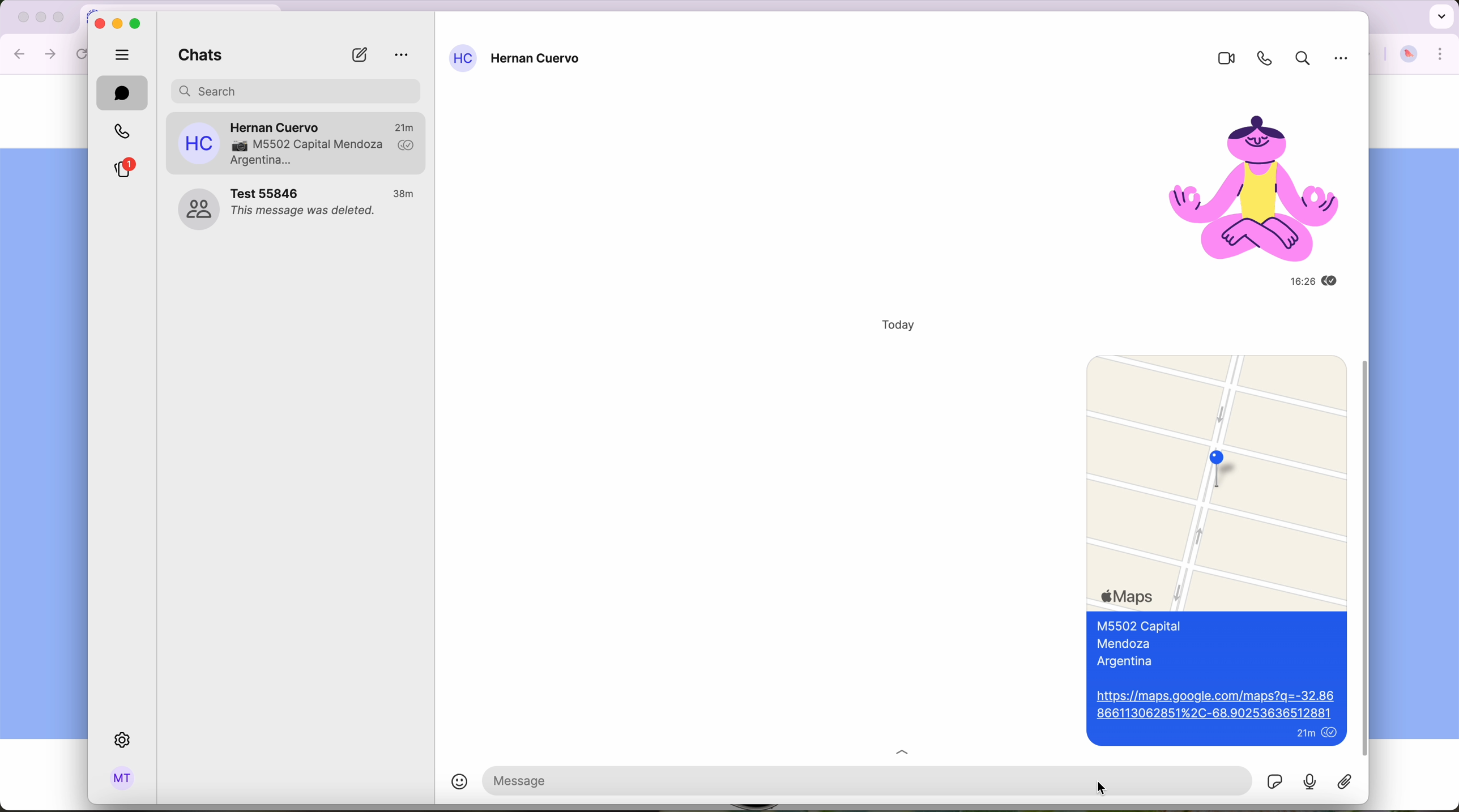 The image size is (1459, 812). Describe the element at coordinates (122, 169) in the screenshot. I see `stories` at that location.